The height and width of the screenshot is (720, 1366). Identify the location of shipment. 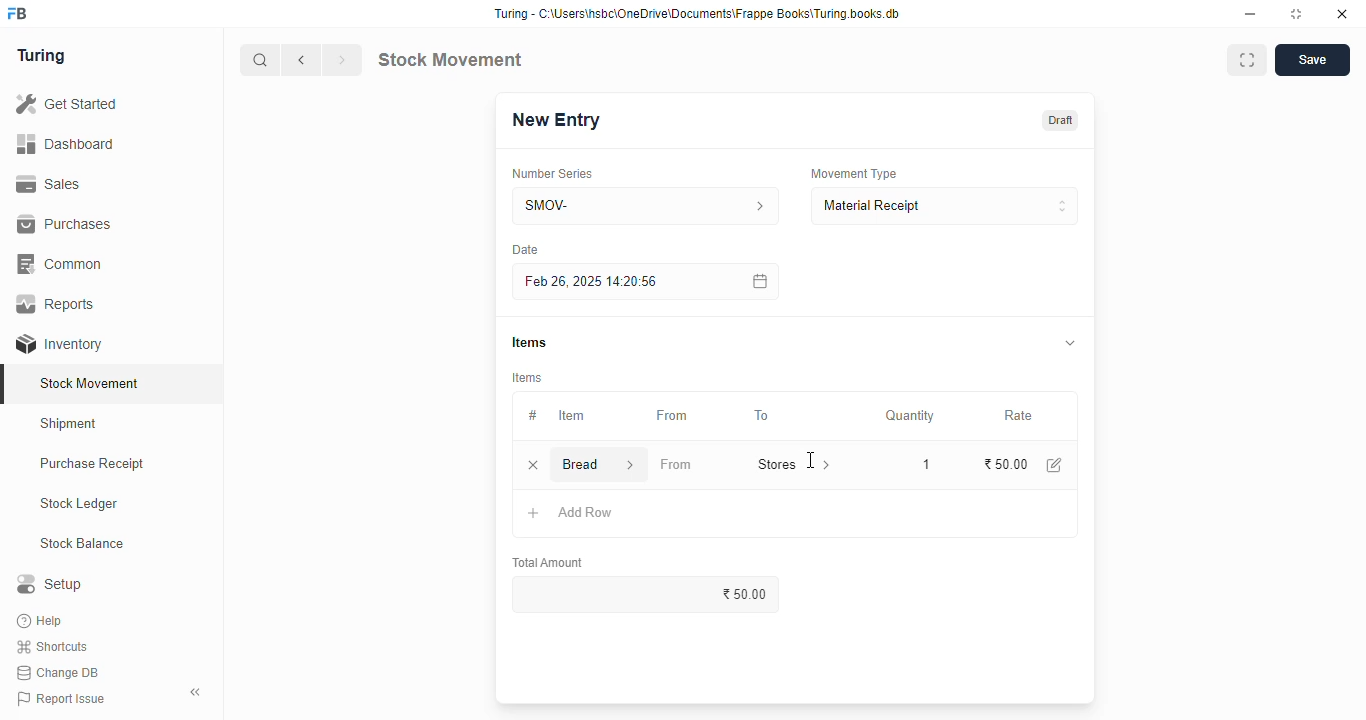
(69, 424).